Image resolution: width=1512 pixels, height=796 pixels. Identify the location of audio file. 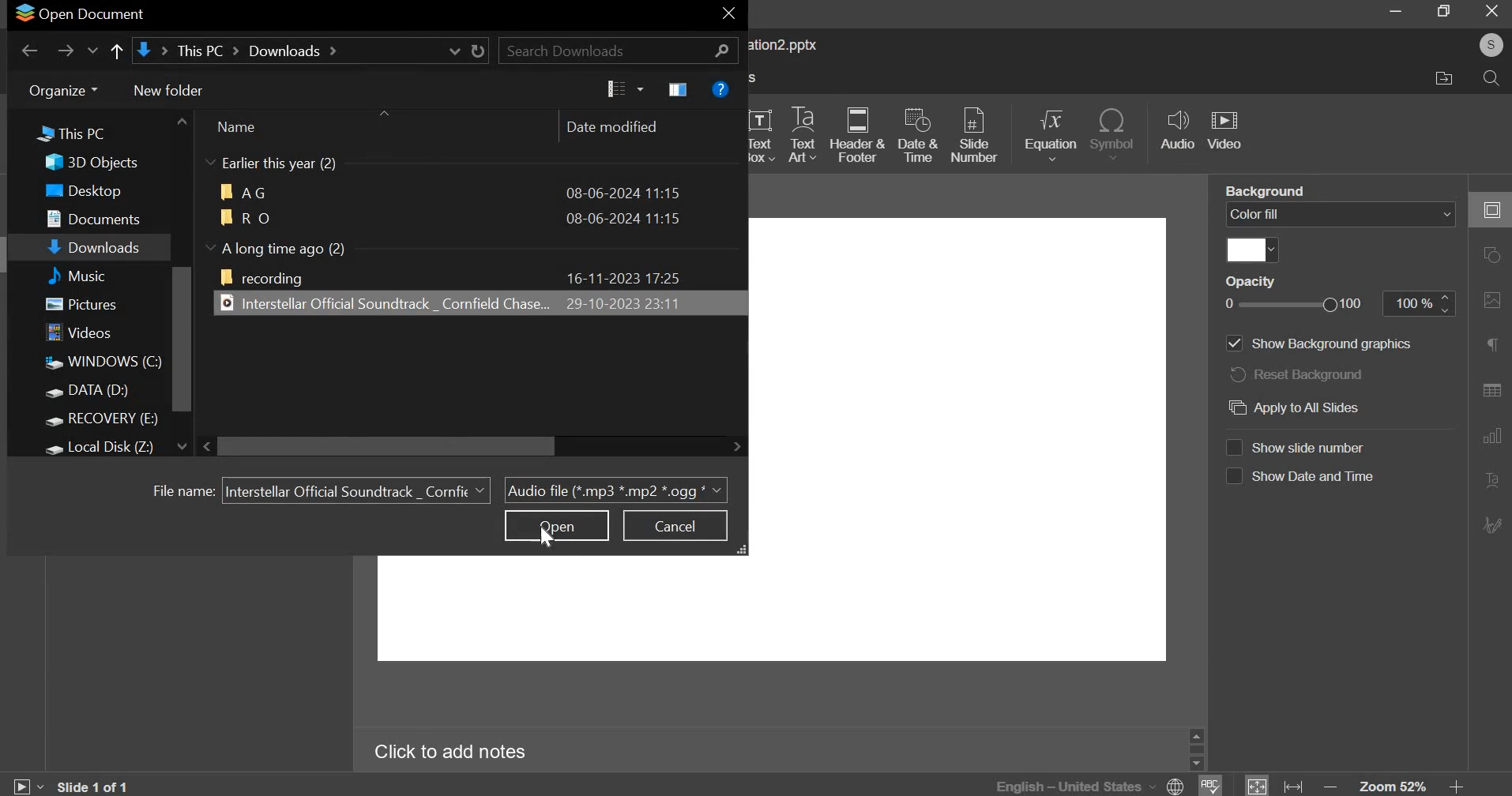
(382, 302).